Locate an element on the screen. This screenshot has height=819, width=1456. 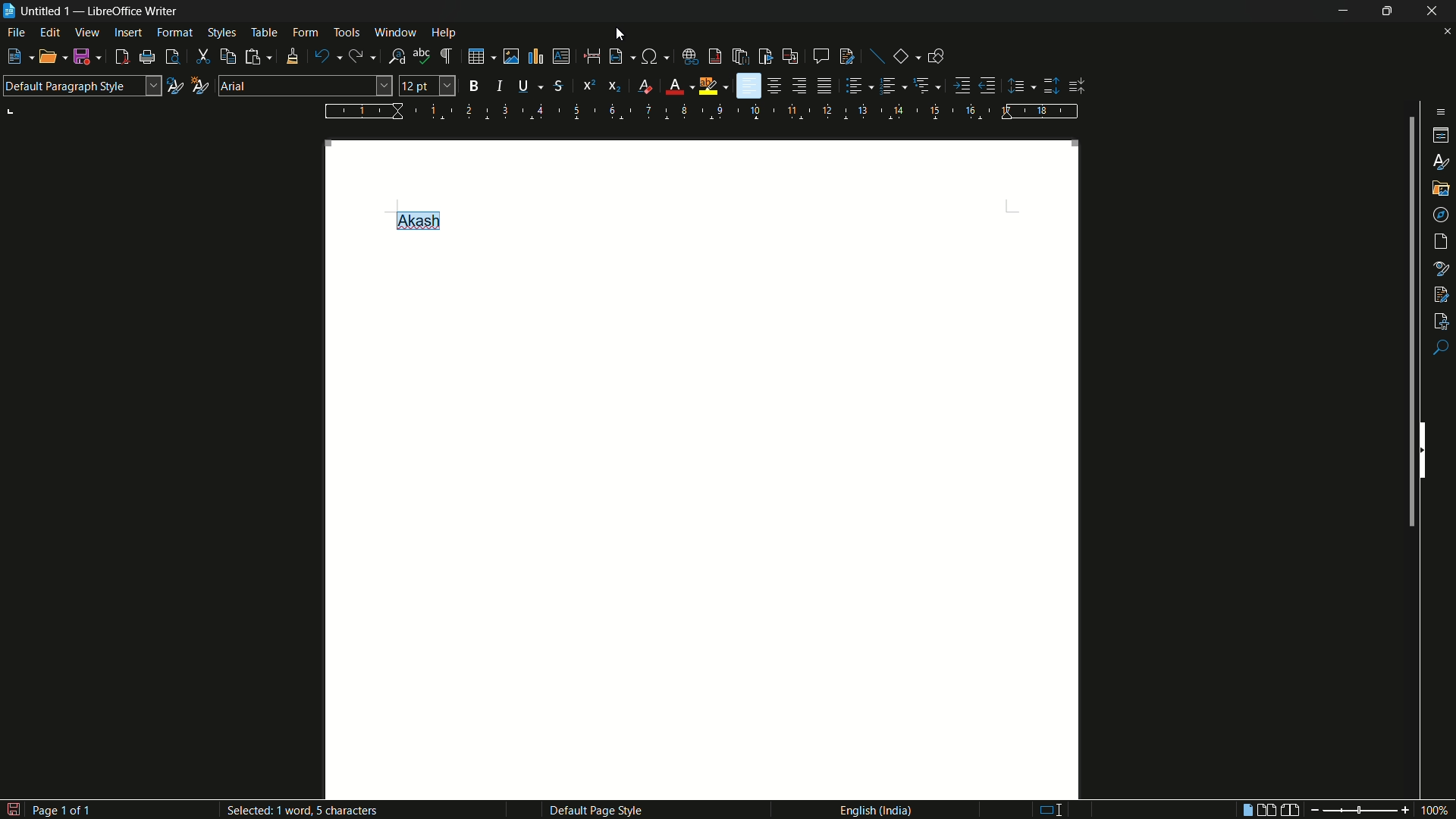
view menu is located at coordinates (87, 33).